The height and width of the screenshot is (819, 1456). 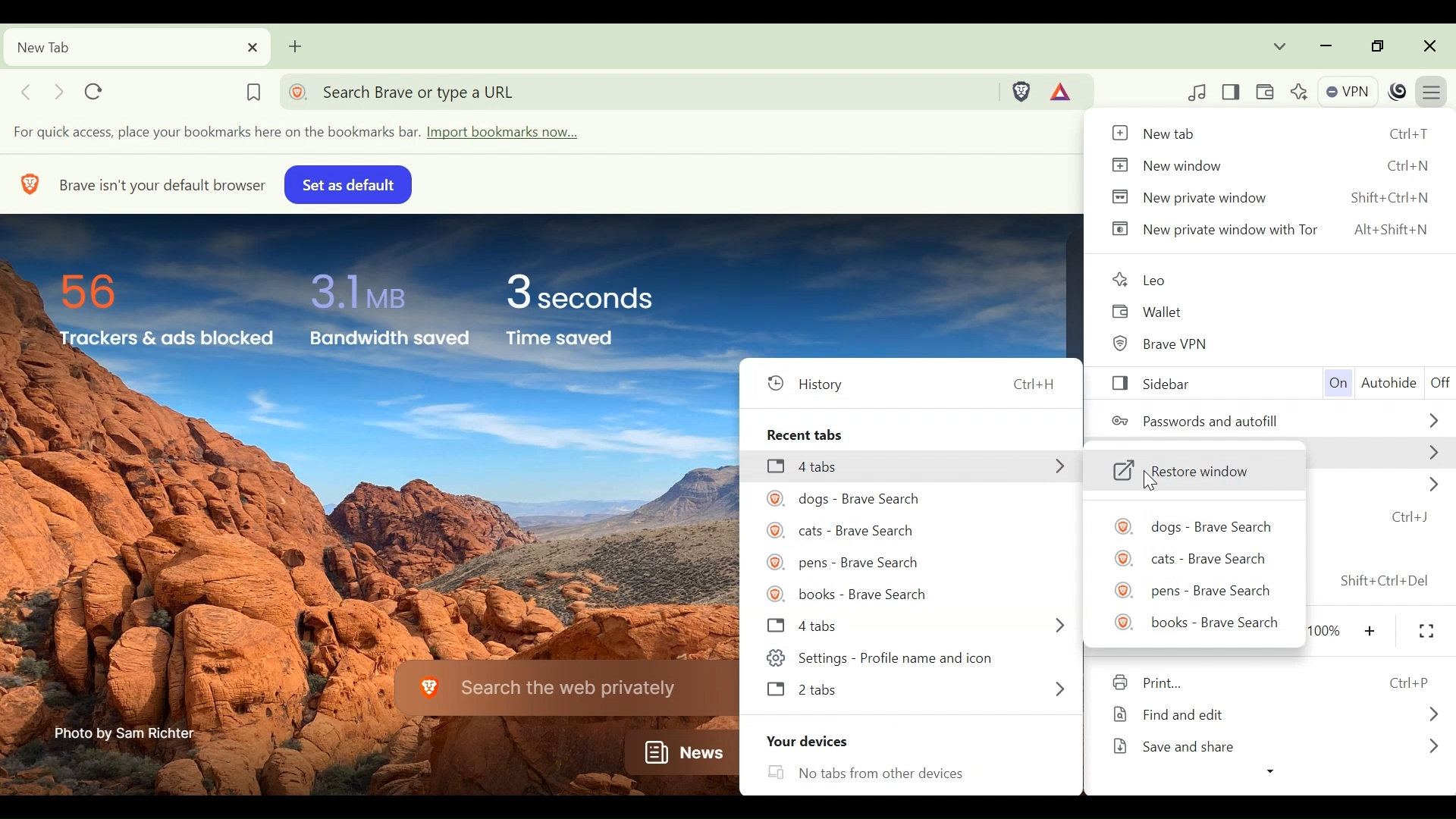 I want to click on Reload, so click(x=97, y=88).